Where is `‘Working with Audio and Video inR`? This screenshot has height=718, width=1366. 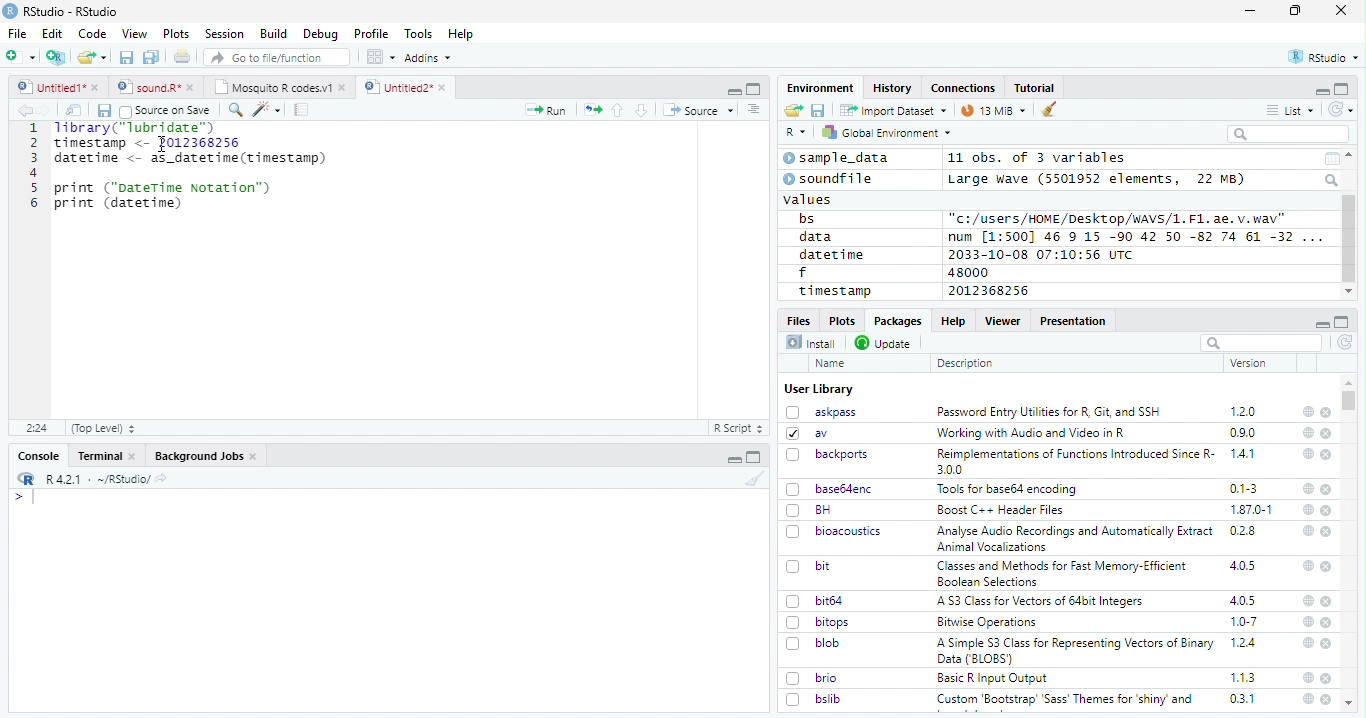
‘Working with Audio and Video inR is located at coordinates (1033, 433).